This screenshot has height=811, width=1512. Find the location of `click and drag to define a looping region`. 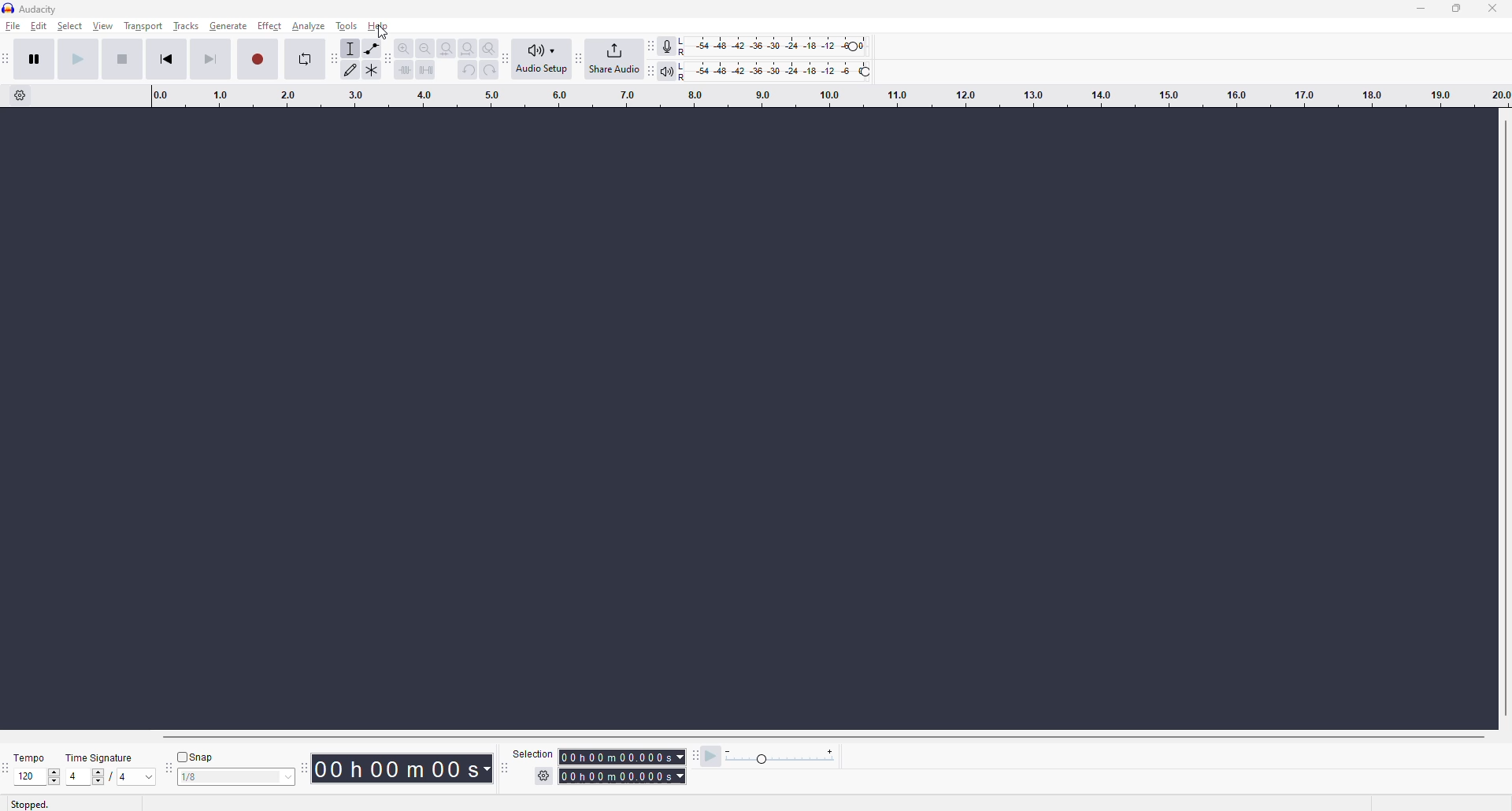

click and drag to define a looping region is located at coordinates (821, 102).